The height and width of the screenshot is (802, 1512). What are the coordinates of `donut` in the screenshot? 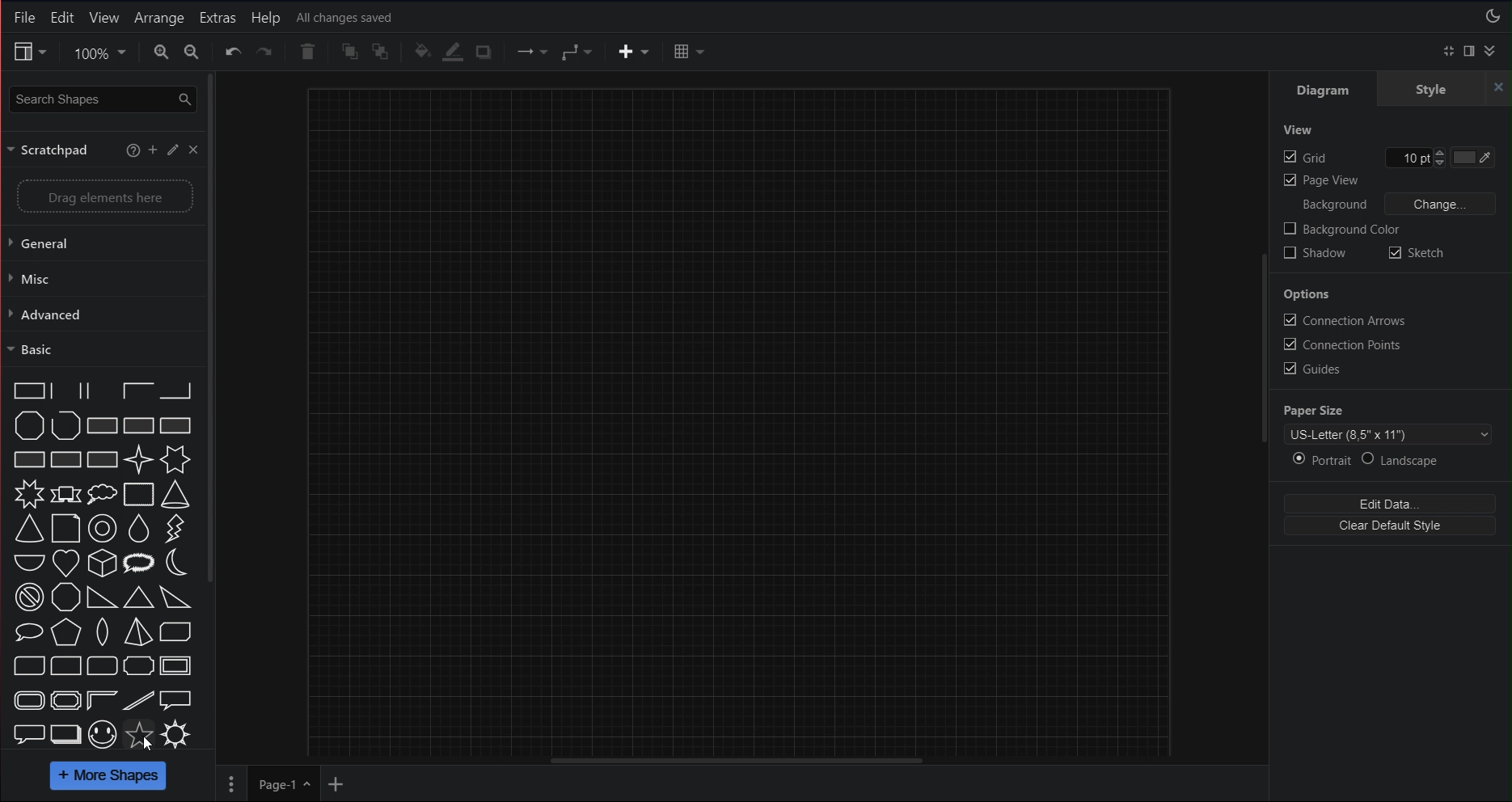 It's located at (103, 529).